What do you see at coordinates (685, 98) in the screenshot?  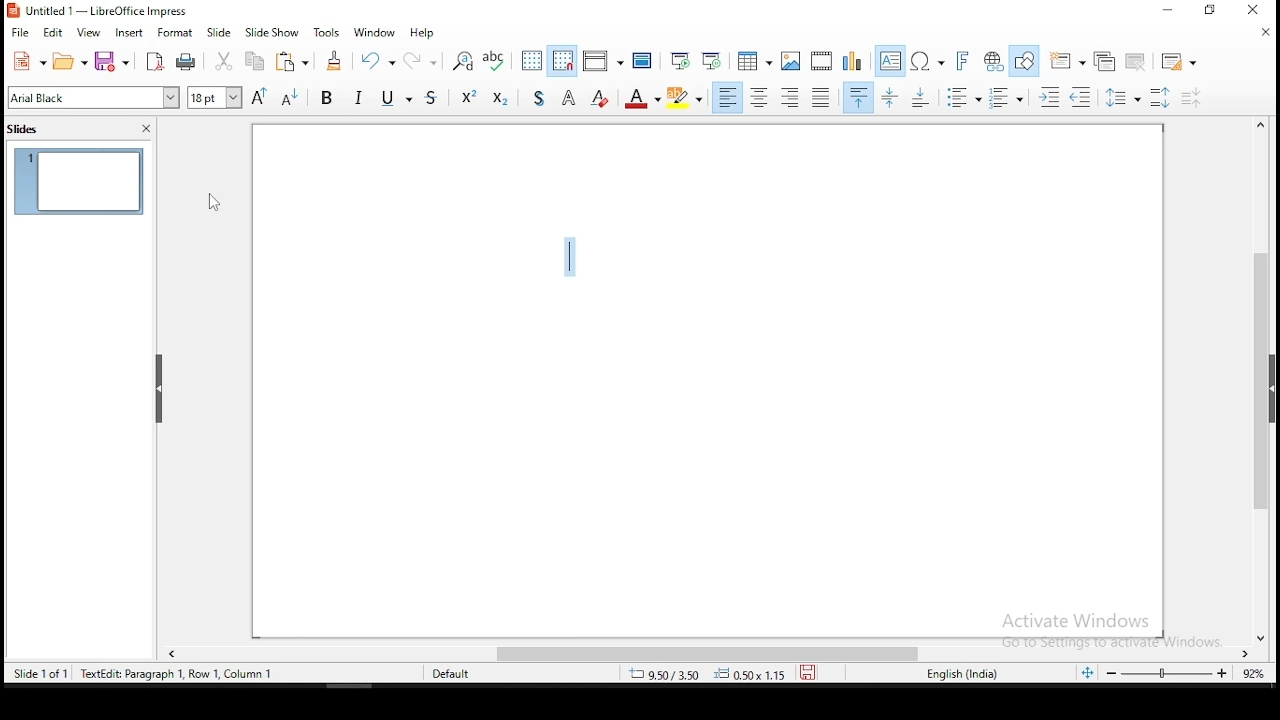 I see `Highlight Color` at bounding box center [685, 98].